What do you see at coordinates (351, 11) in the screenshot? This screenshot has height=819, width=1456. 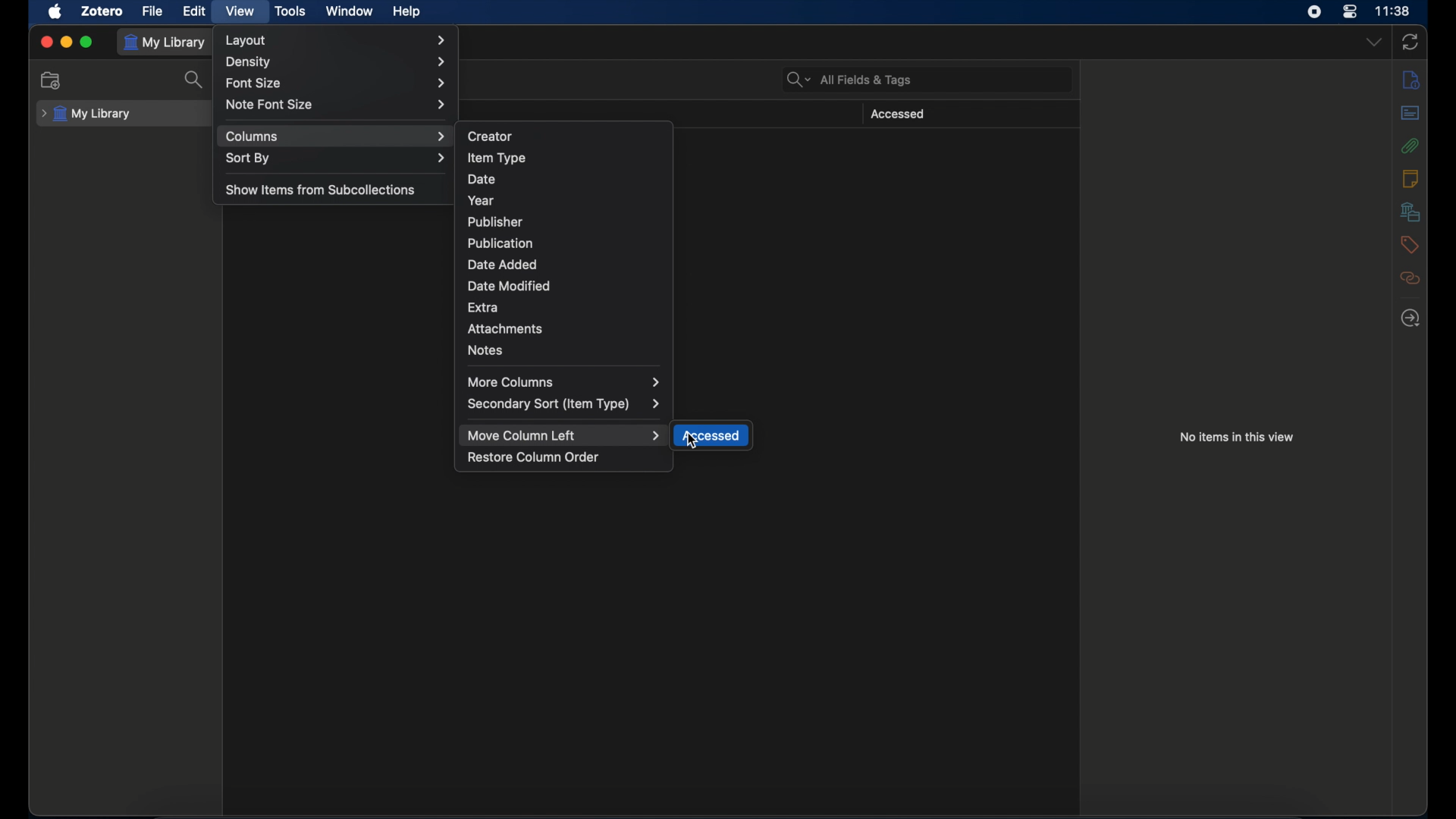 I see `window` at bounding box center [351, 11].